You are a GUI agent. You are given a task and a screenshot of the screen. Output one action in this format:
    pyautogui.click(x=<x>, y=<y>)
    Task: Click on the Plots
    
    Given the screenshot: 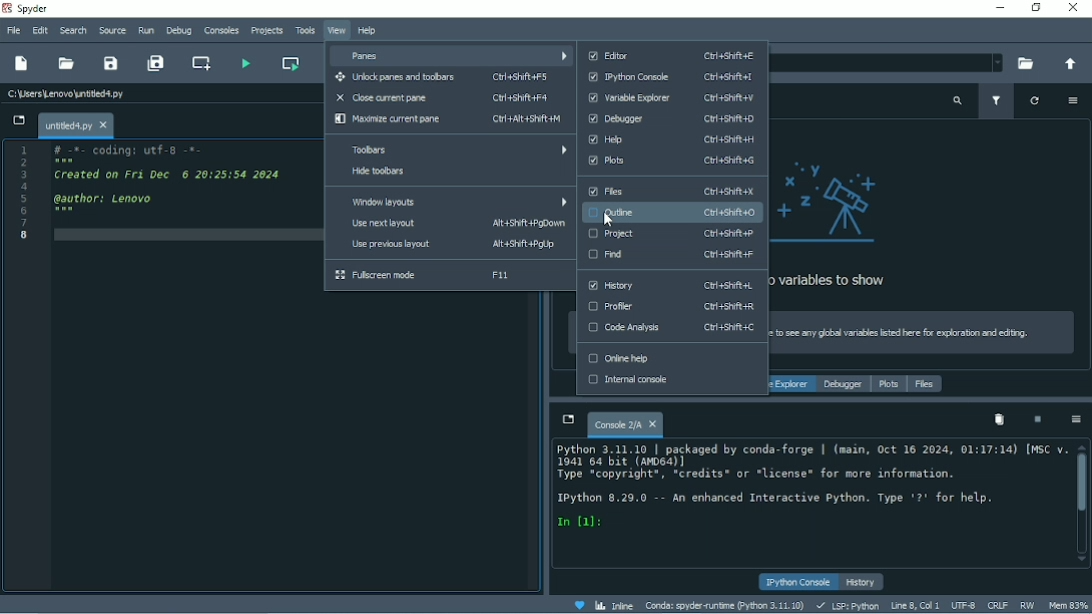 What is the action you would take?
    pyautogui.click(x=889, y=385)
    